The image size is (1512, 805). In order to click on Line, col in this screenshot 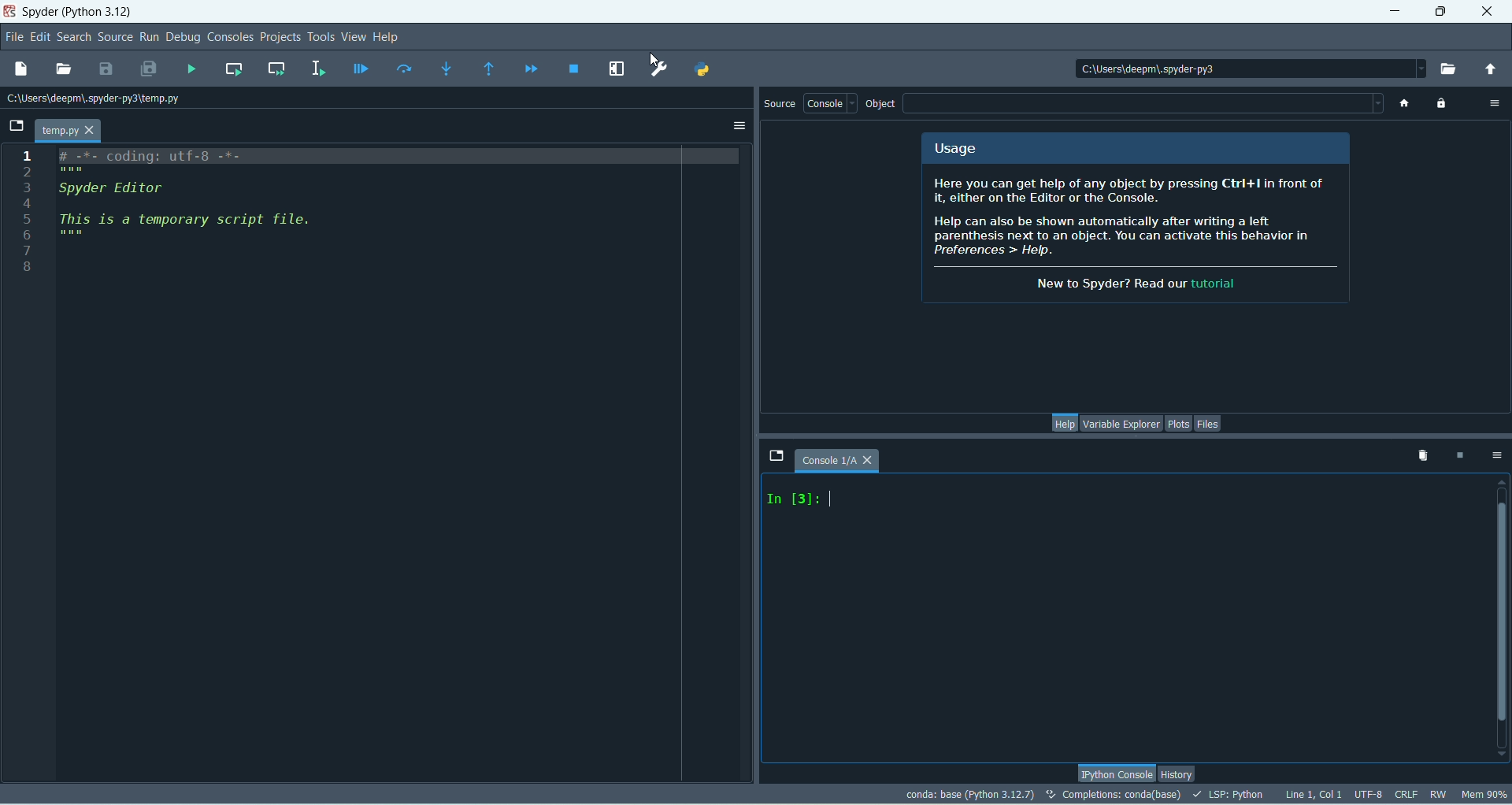, I will do `click(1313, 792)`.